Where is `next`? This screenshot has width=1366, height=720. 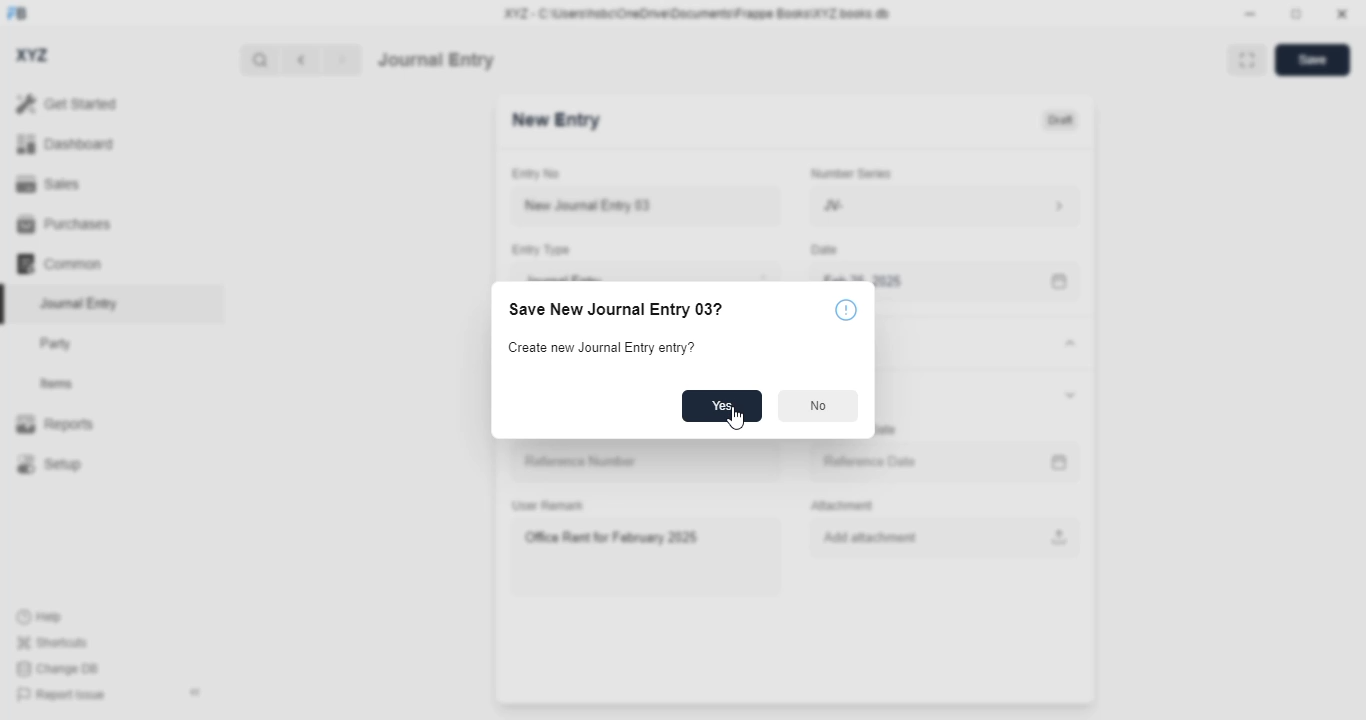
next is located at coordinates (343, 60).